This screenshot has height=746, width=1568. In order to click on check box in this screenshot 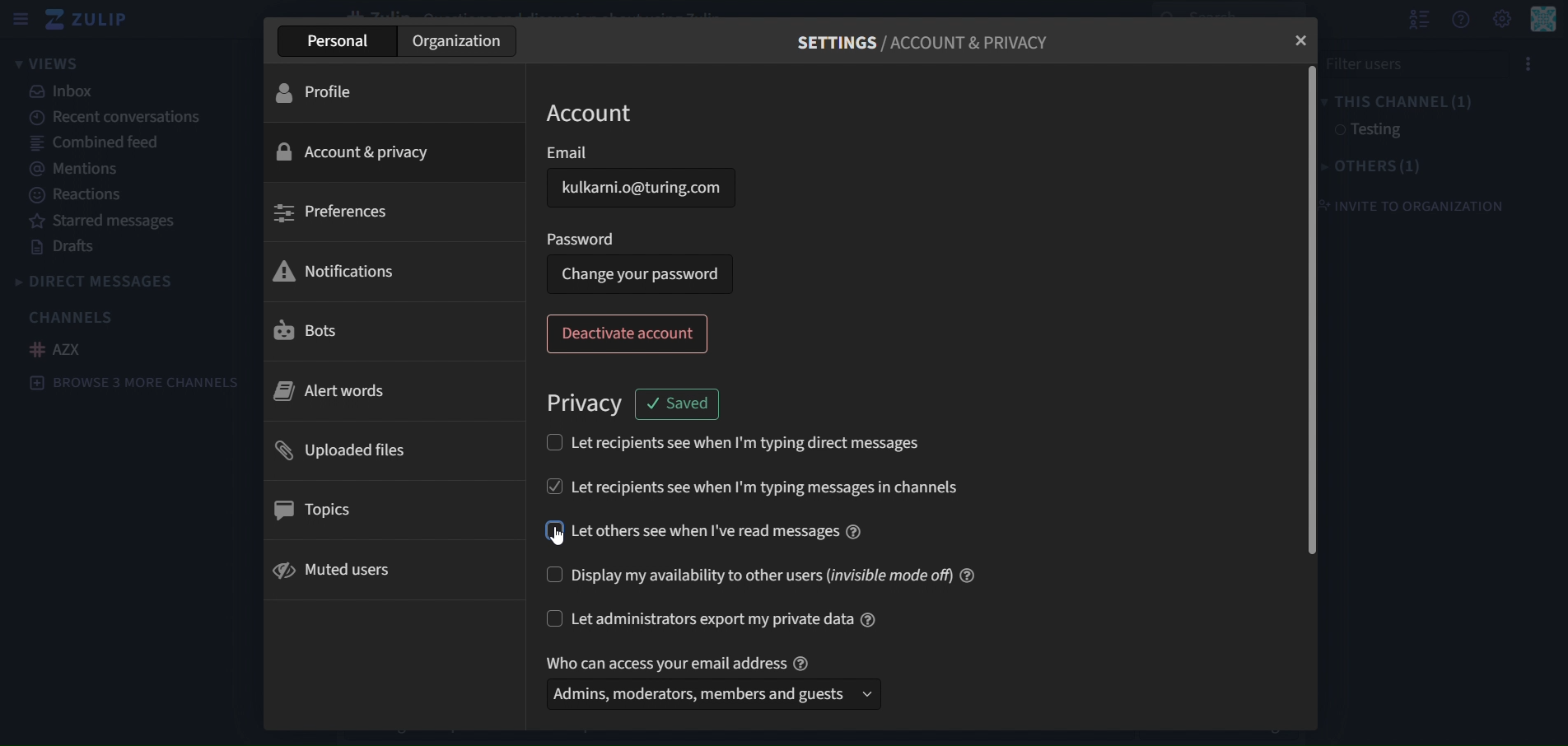, I will do `click(551, 576)`.